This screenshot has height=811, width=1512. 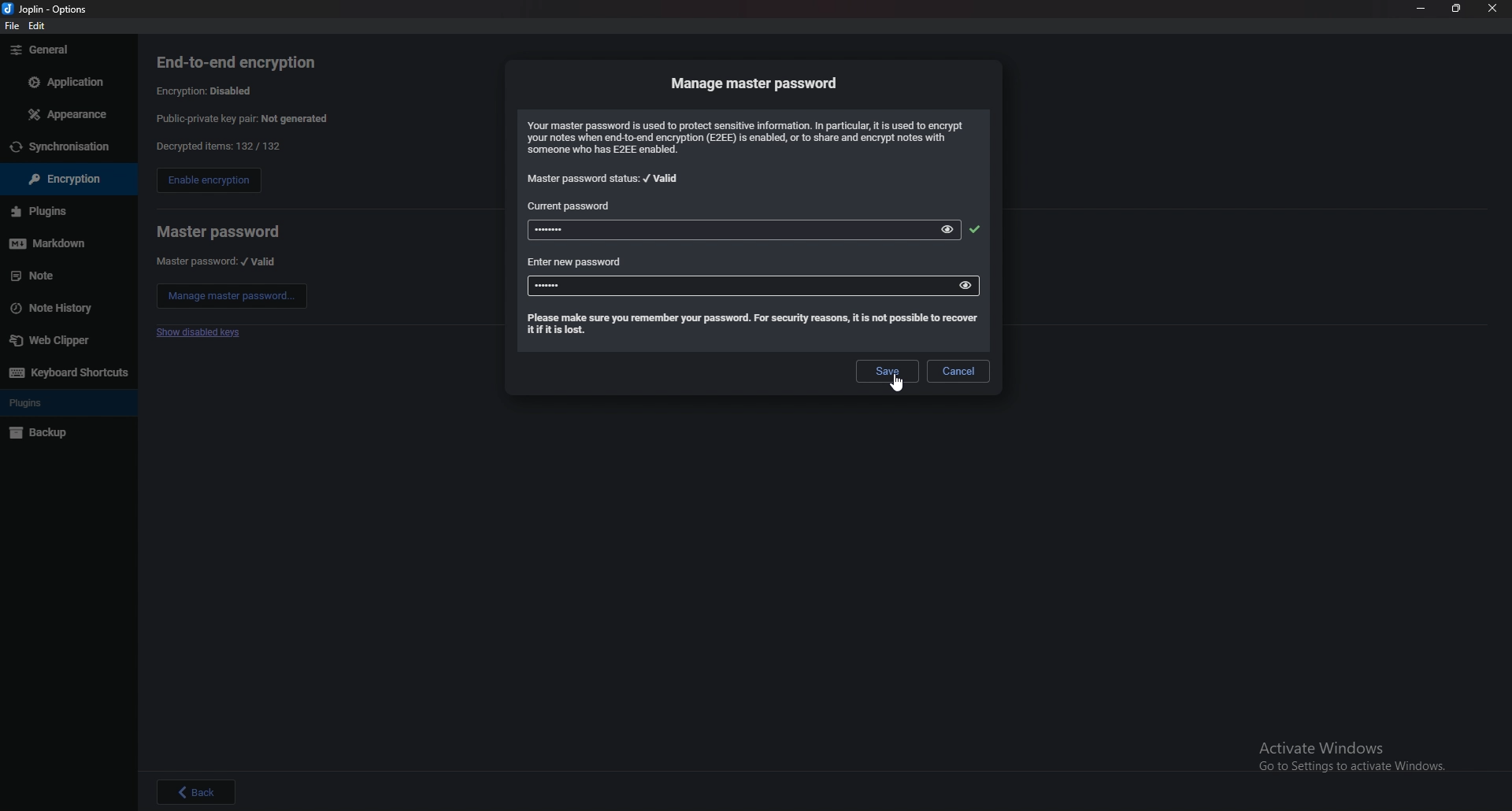 I want to click on minimize, so click(x=1421, y=9).